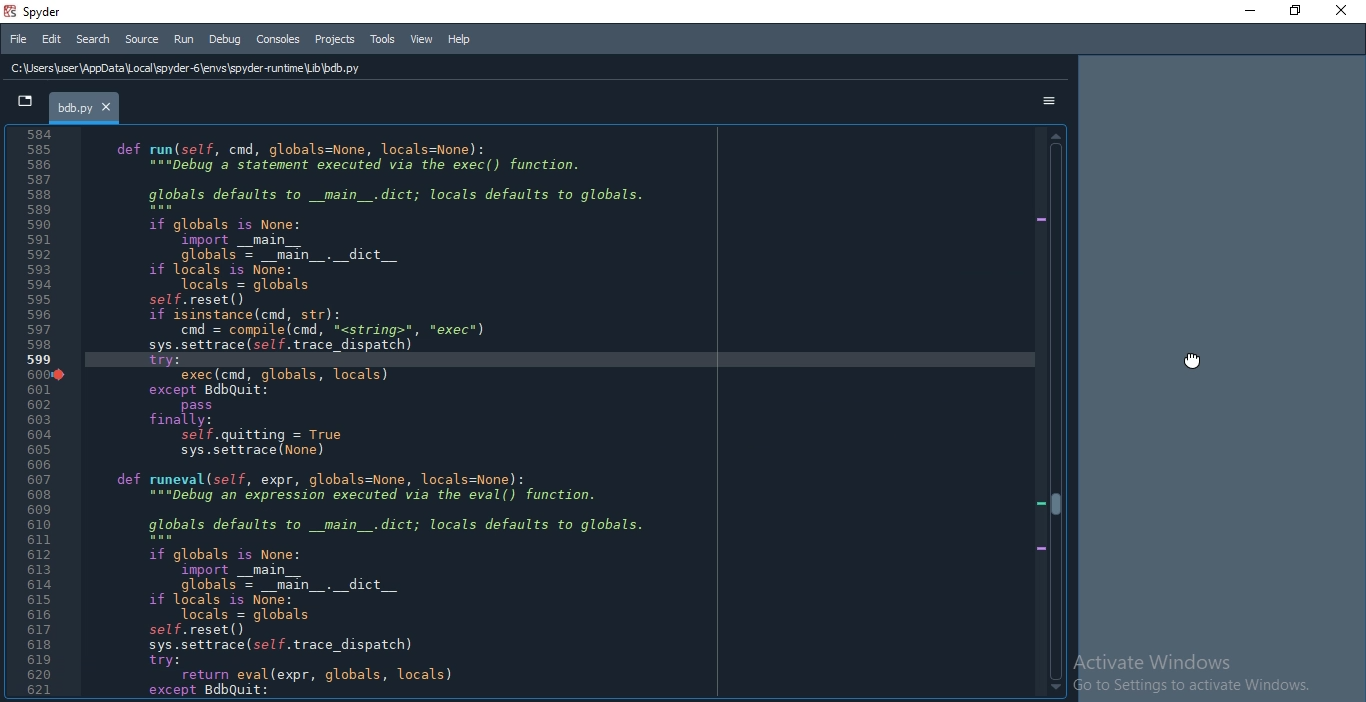 Image resolution: width=1366 pixels, height=702 pixels. What do you see at coordinates (463, 40) in the screenshot?
I see `Help` at bounding box center [463, 40].